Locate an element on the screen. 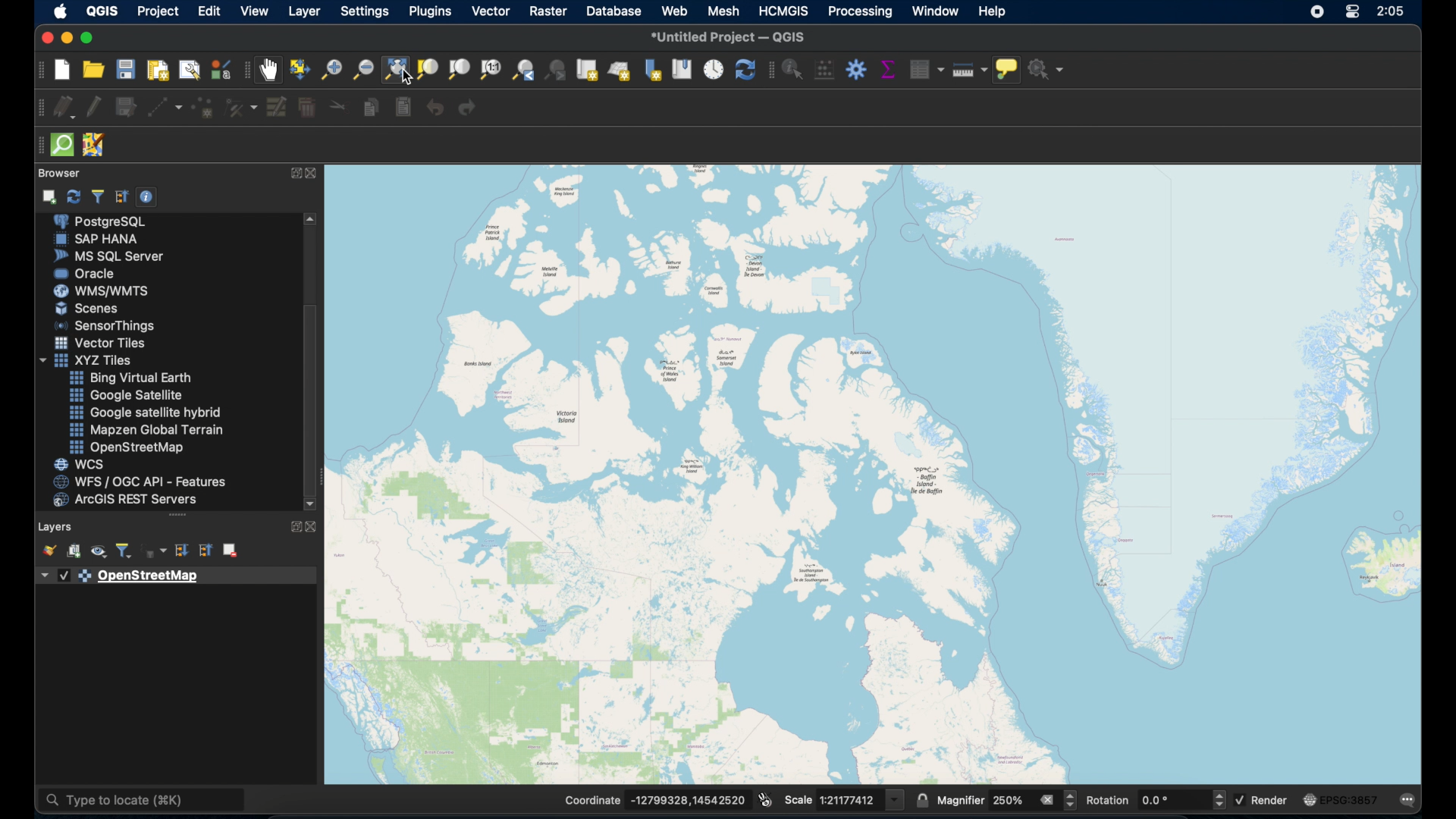 The image size is (1456, 819). scale is located at coordinates (799, 799).